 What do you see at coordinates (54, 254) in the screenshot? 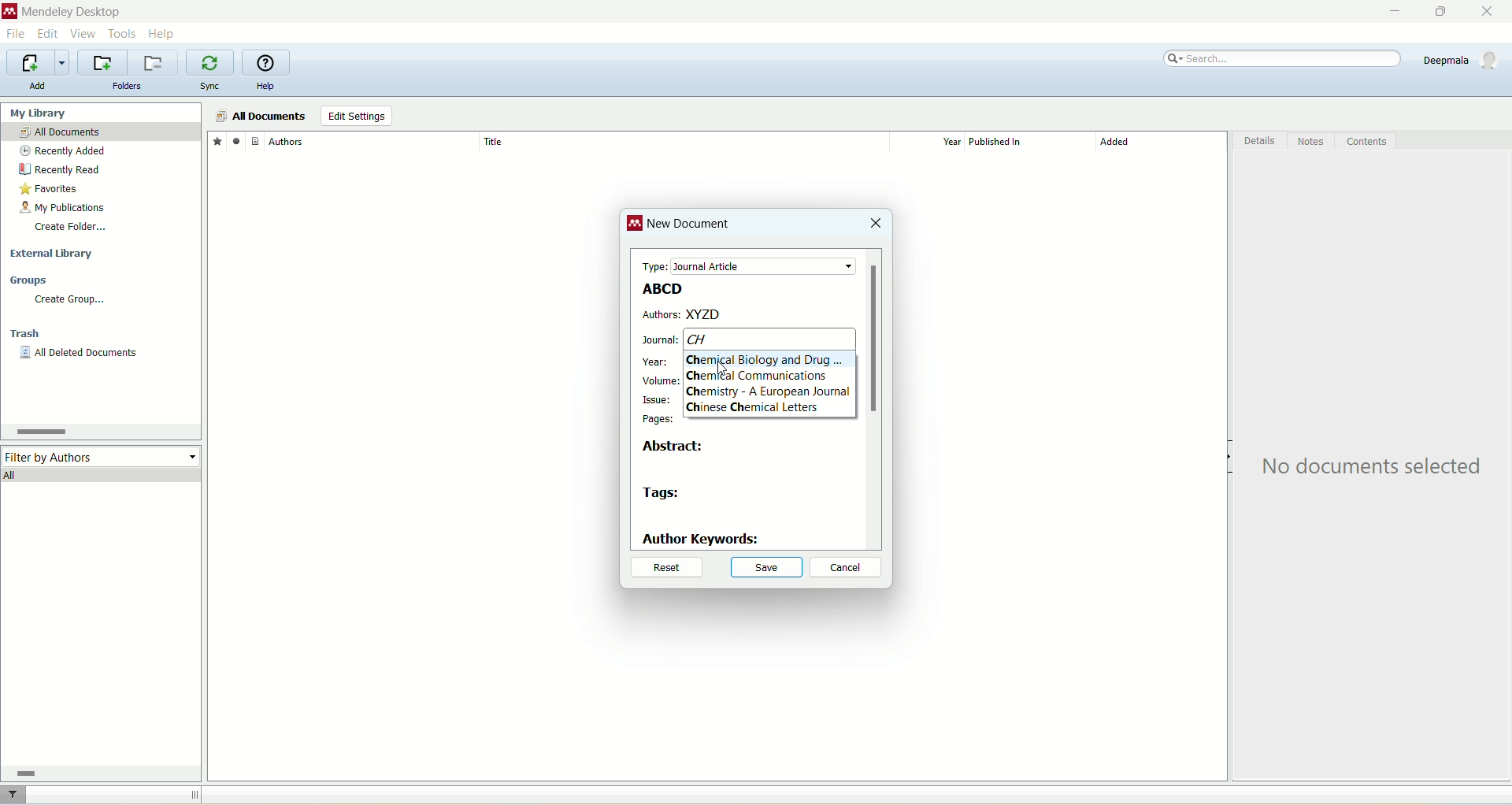
I see `external library` at bounding box center [54, 254].